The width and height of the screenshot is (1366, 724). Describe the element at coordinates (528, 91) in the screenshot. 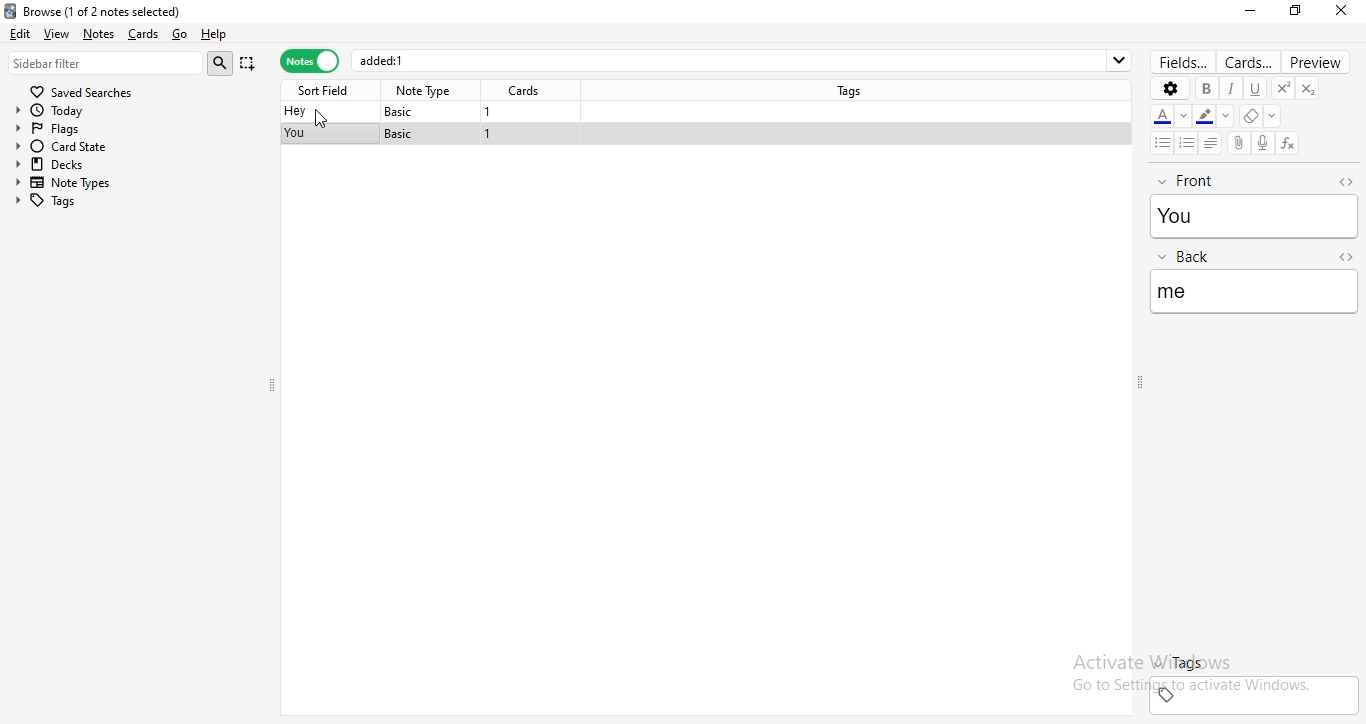

I see `cards` at that location.